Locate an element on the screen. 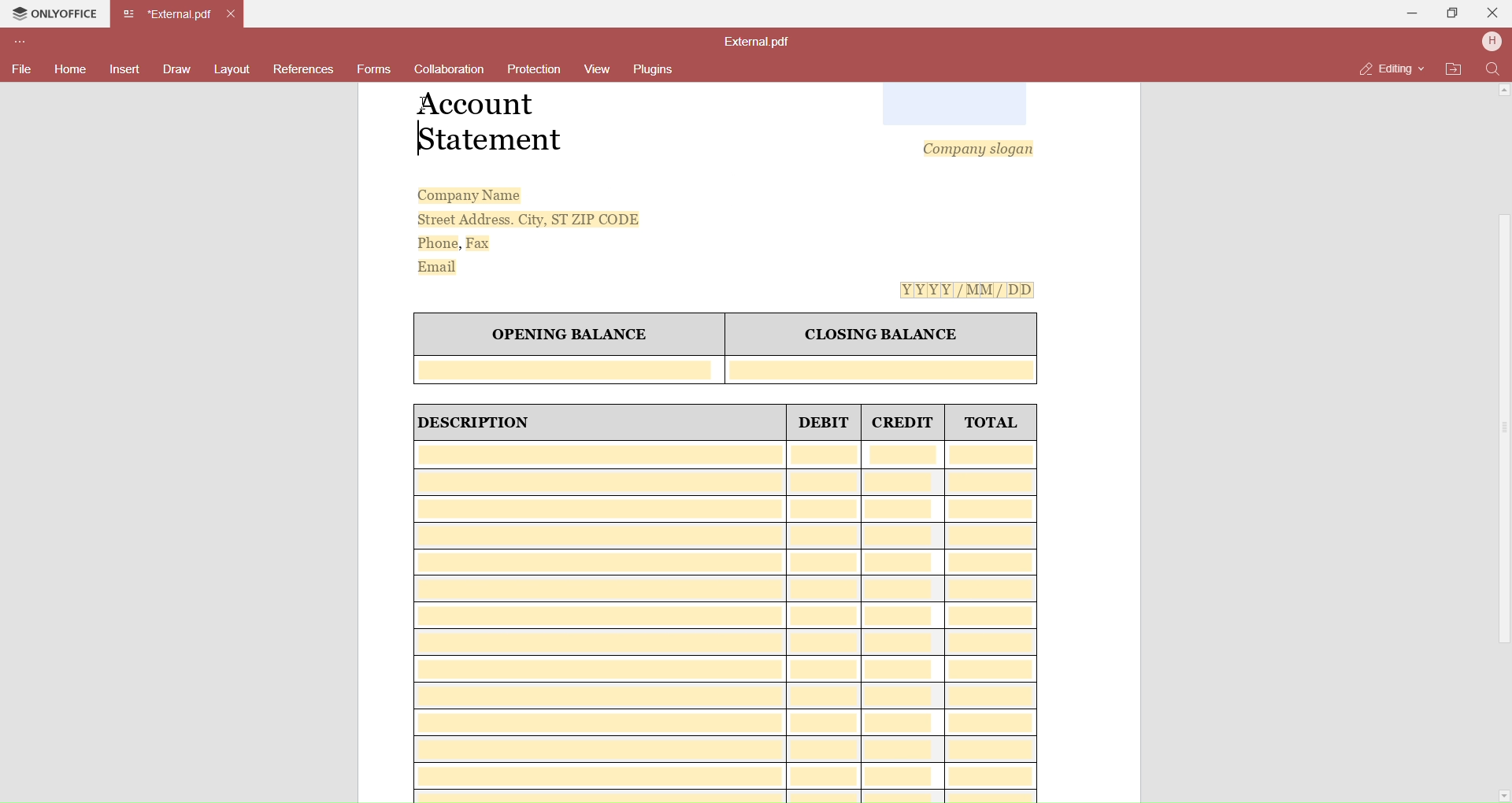 Image resolution: width=1512 pixels, height=803 pixels. Maximize is located at coordinates (1449, 13).